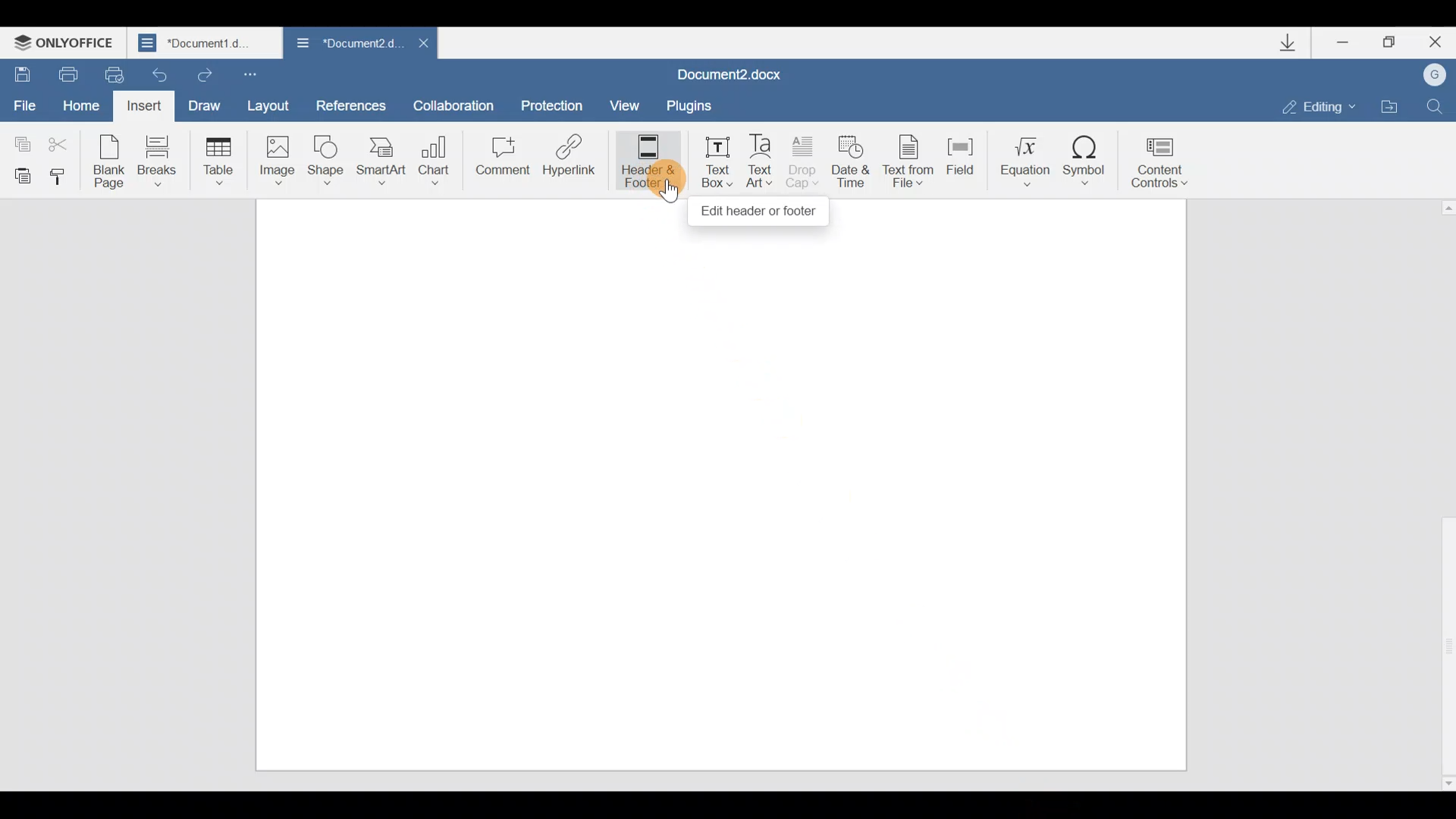 The height and width of the screenshot is (819, 1456). I want to click on SmartArt, so click(381, 160).